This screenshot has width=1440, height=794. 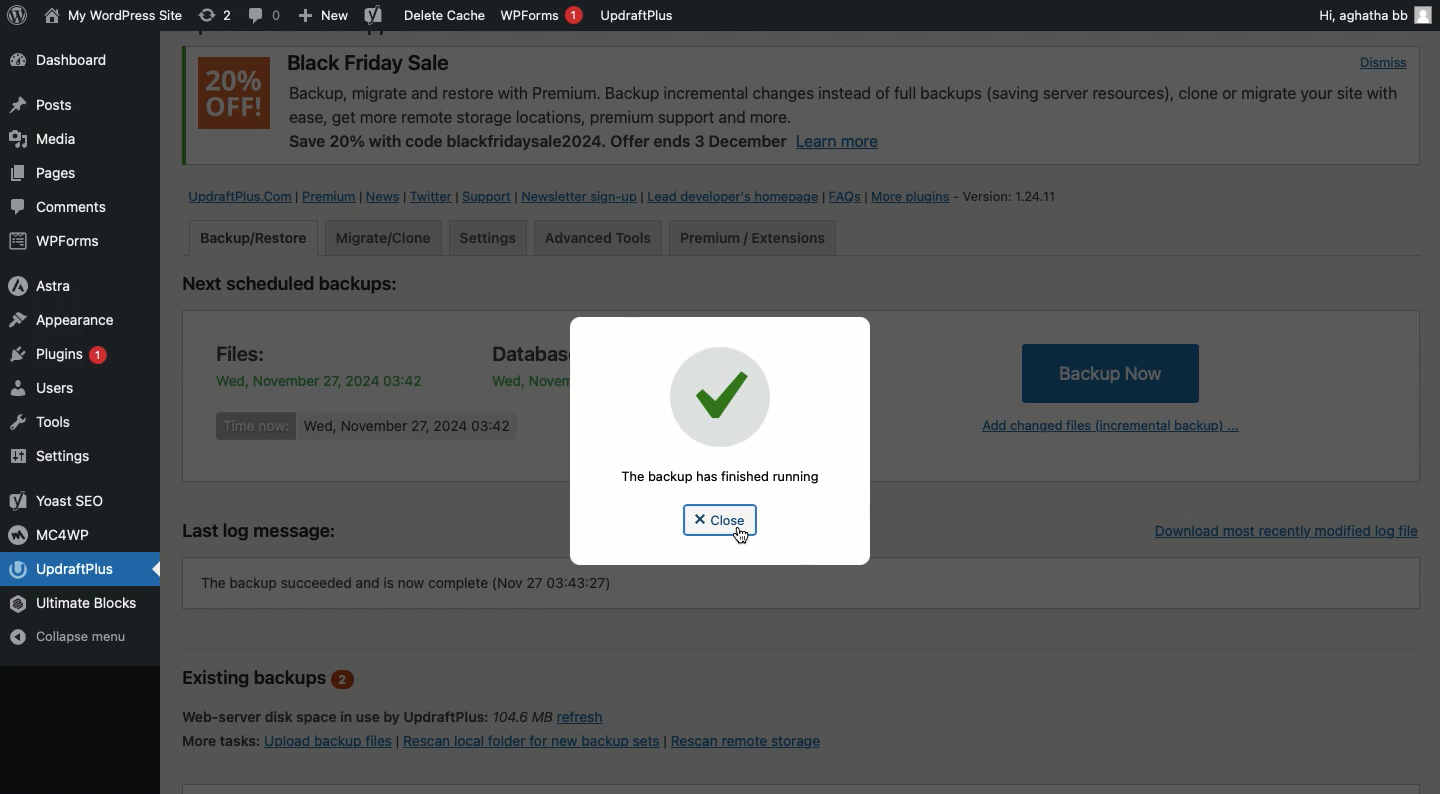 I want to click on Time now:, so click(x=257, y=426).